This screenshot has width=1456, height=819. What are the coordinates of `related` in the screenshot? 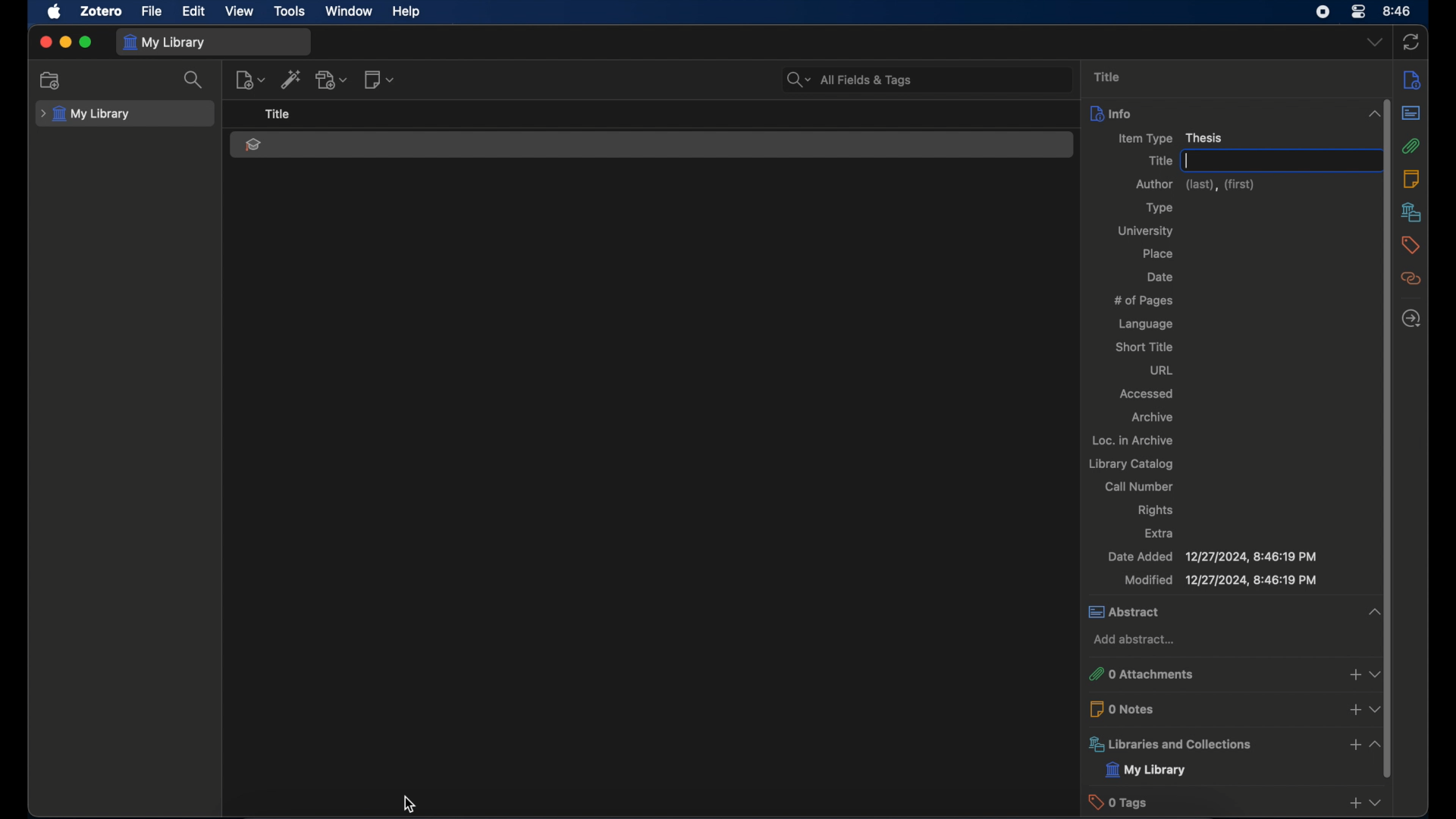 It's located at (1412, 279).